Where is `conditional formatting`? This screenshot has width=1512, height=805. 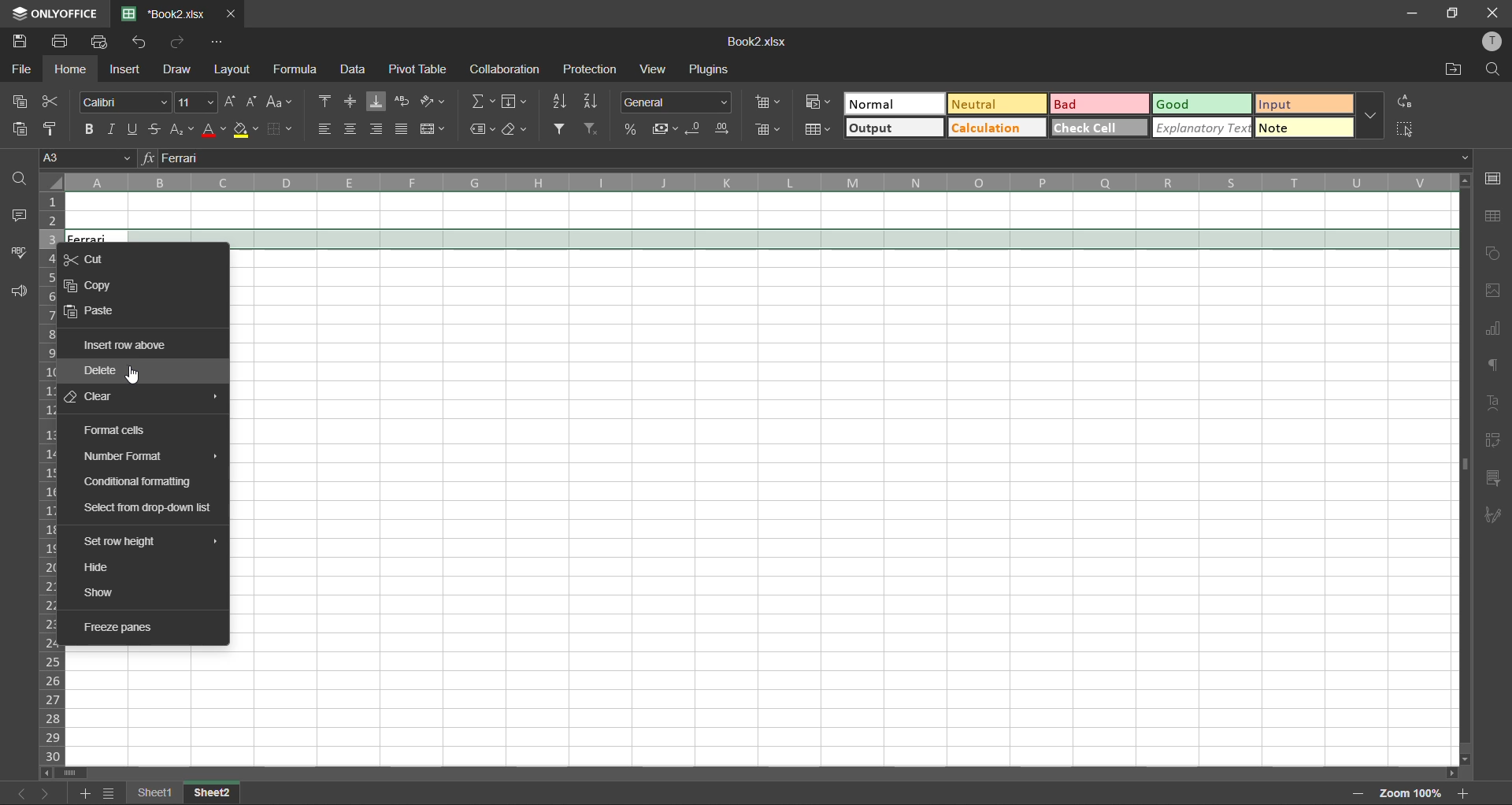
conditional formatting is located at coordinates (139, 484).